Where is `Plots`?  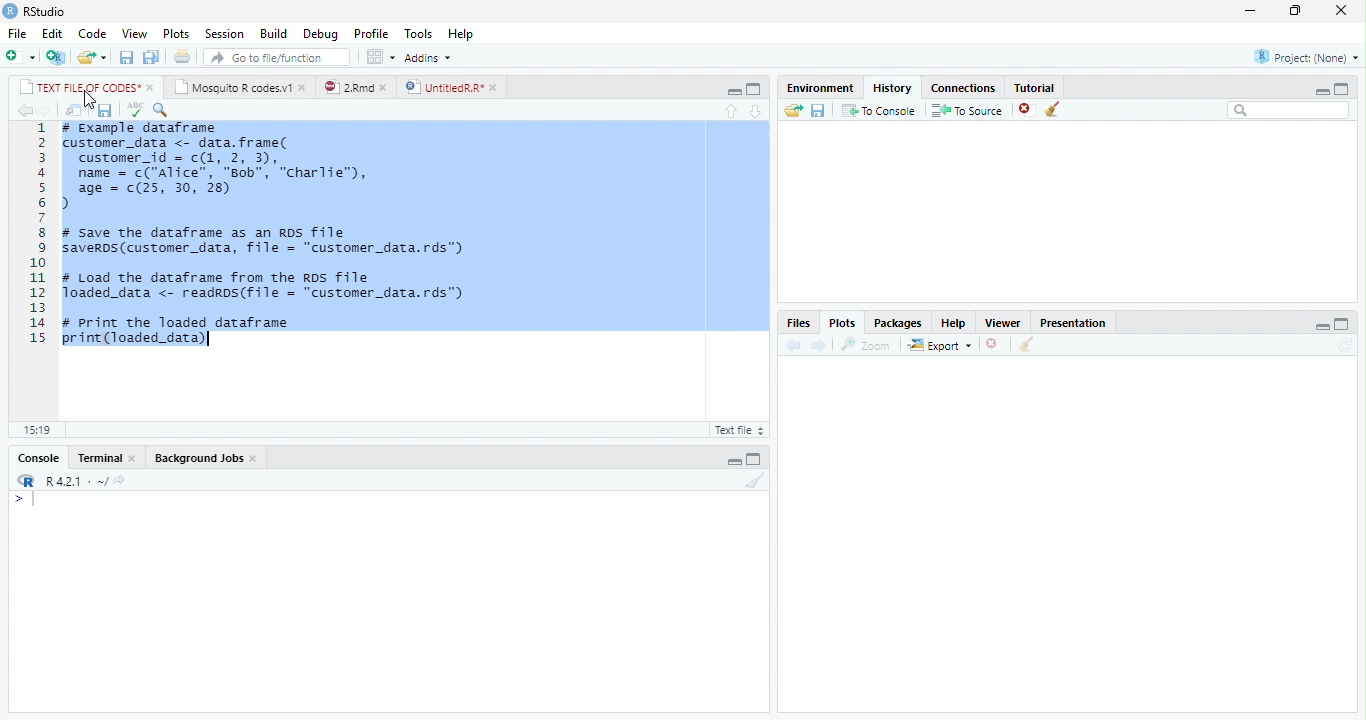
Plots is located at coordinates (175, 34).